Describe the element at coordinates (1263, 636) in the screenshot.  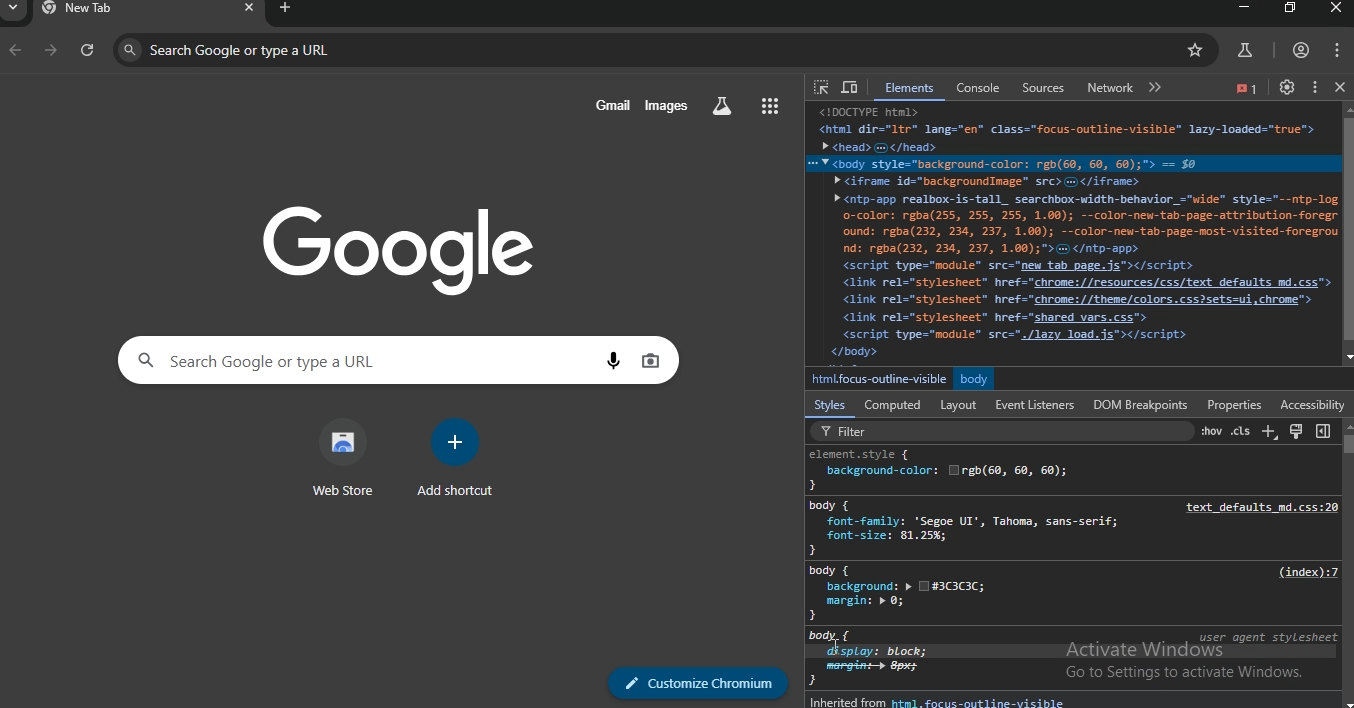
I see `user agent stylesheet` at that location.